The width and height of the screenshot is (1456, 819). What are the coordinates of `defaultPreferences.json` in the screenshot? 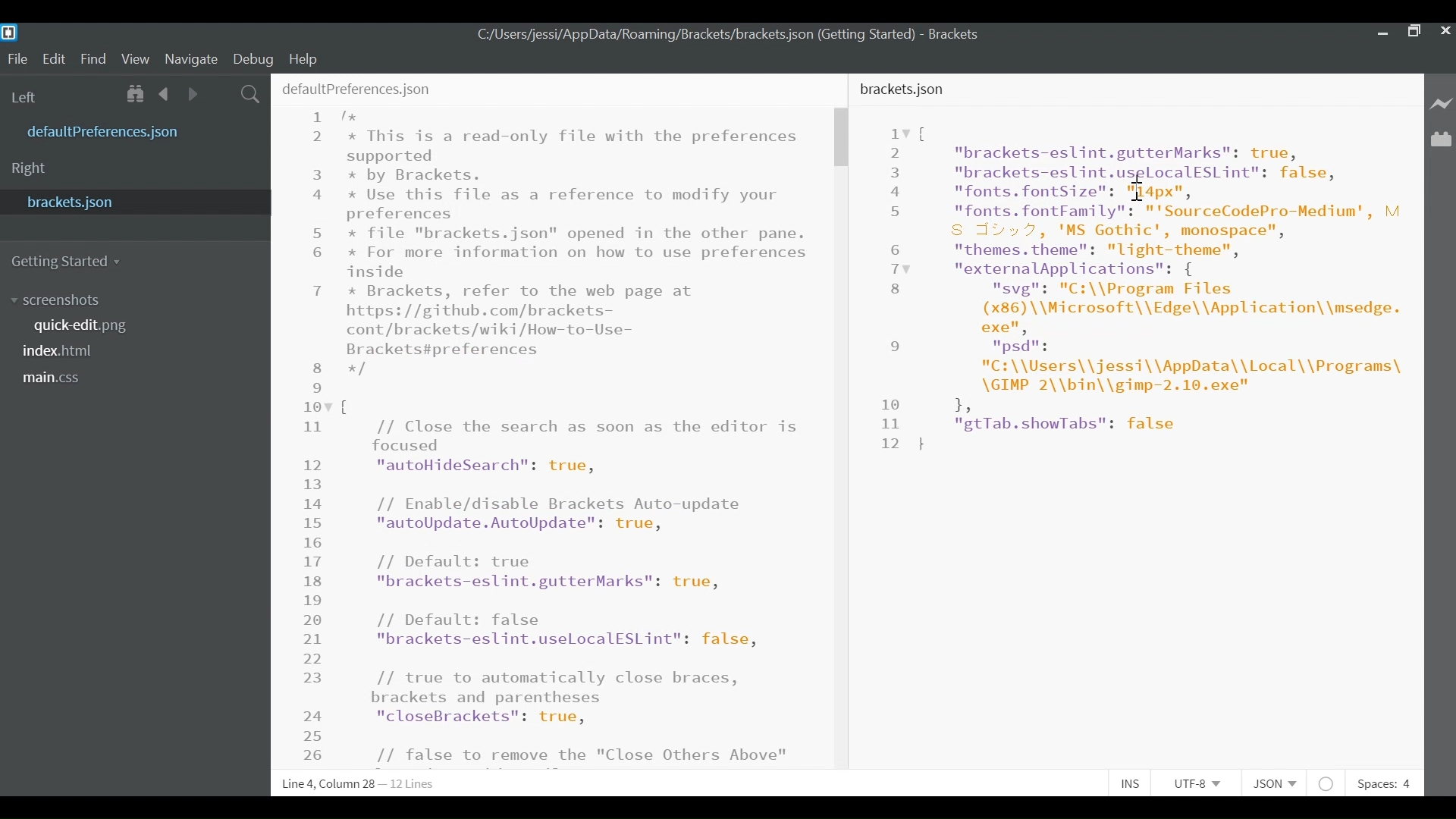 It's located at (356, 86).